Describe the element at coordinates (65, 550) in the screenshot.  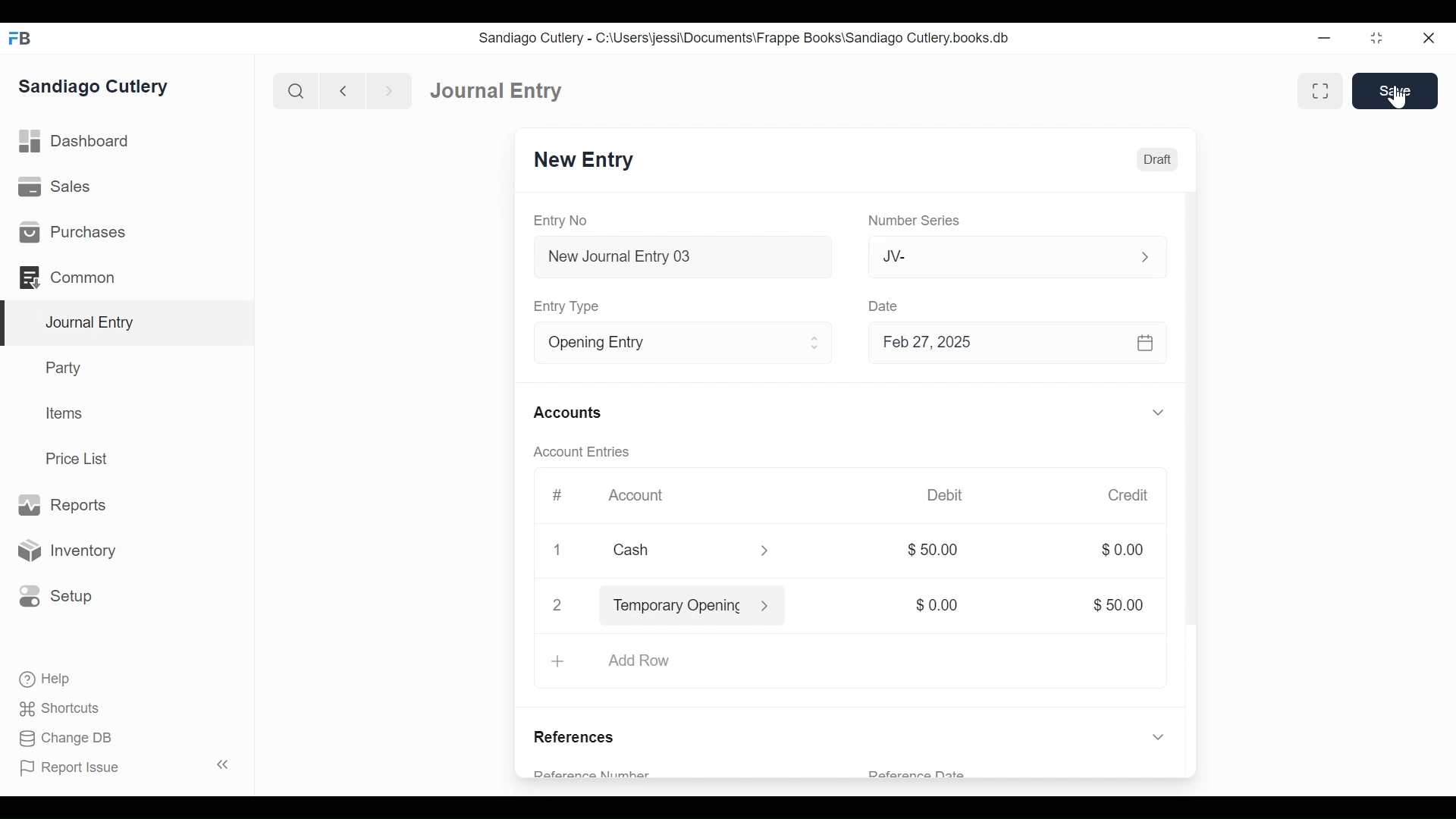
I see `Inventory` at that location.